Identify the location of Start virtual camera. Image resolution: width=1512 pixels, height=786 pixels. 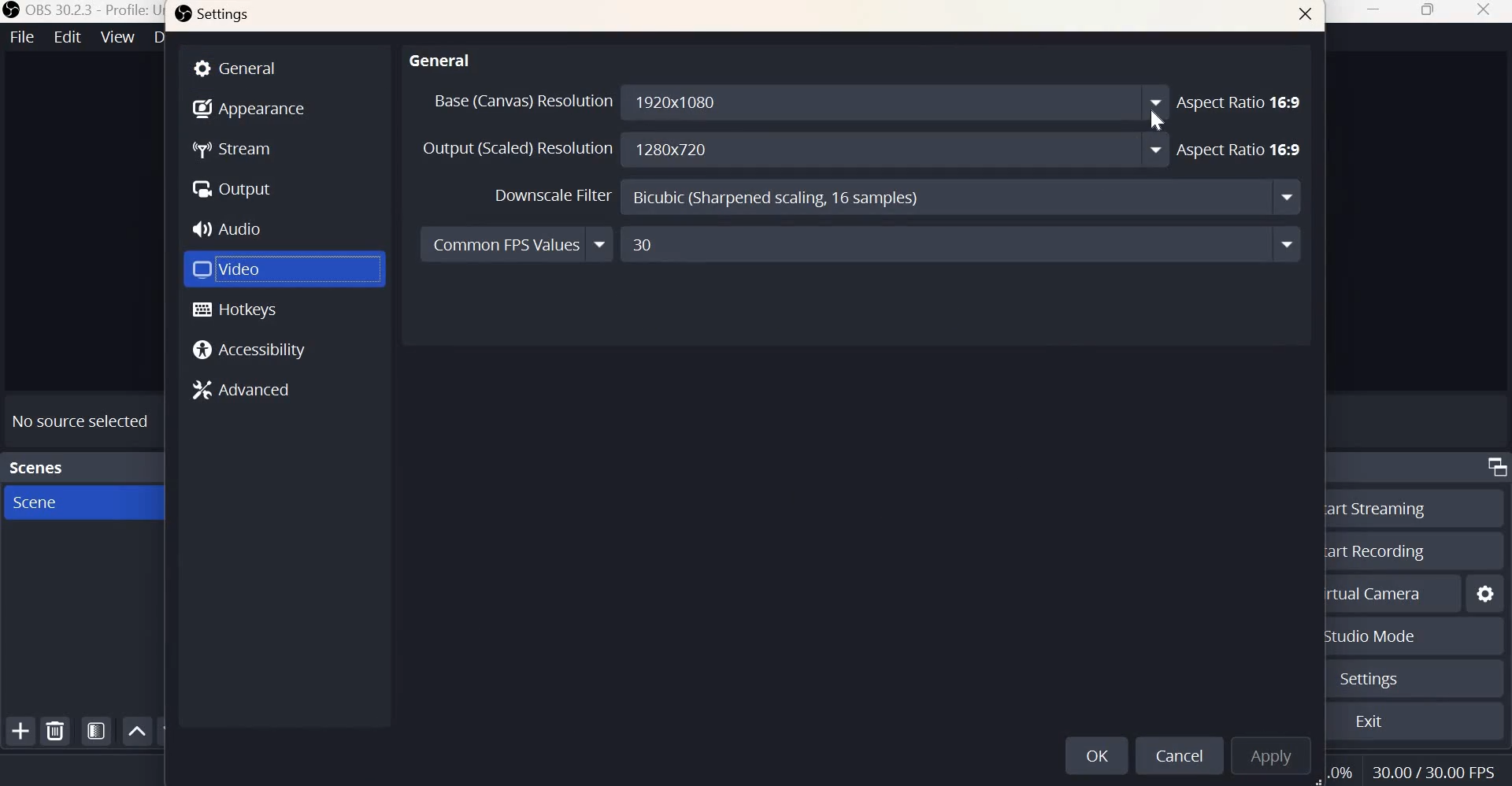
(1379, 591).